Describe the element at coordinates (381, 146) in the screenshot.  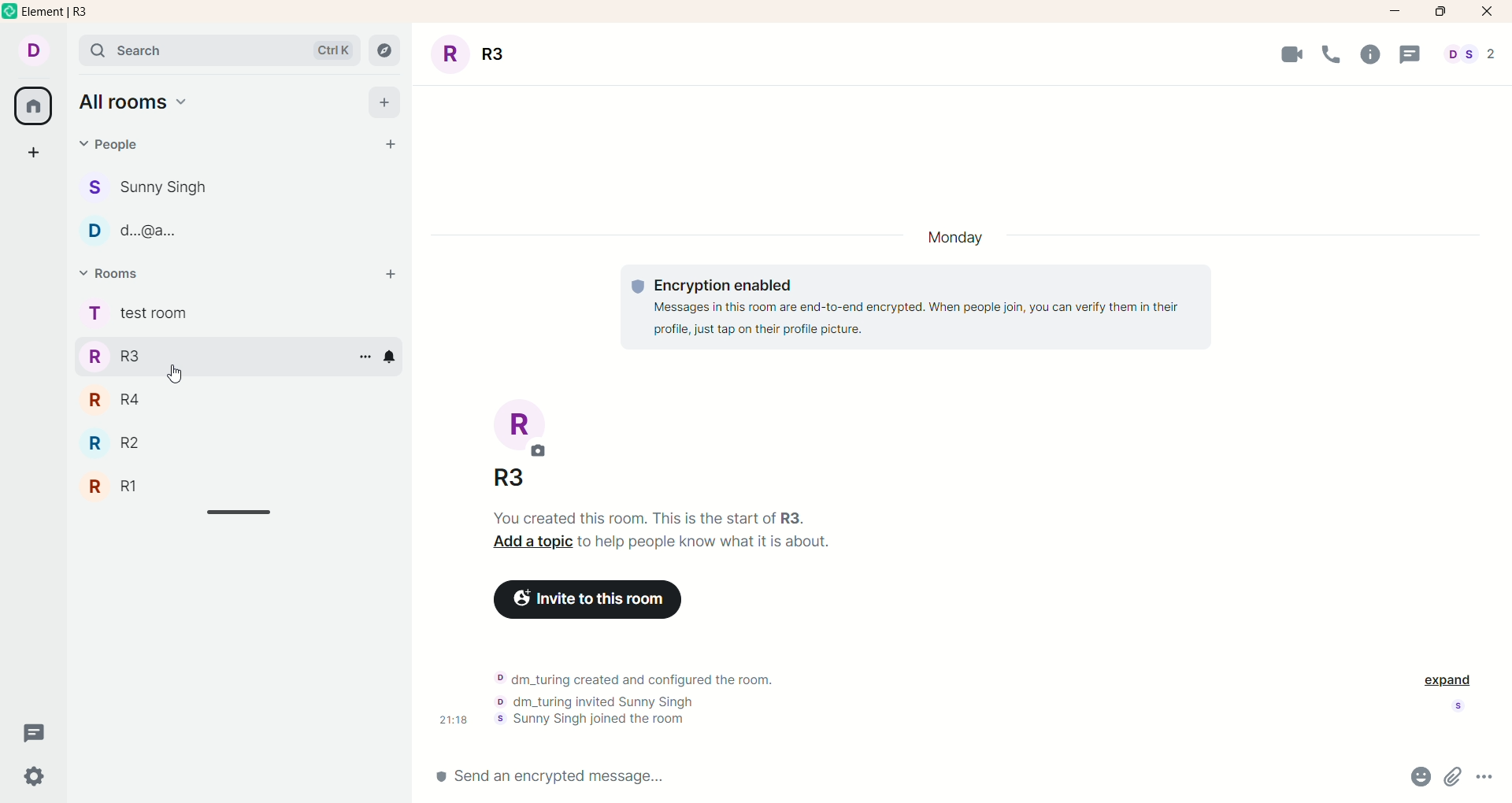
I see `start chat` at that location.